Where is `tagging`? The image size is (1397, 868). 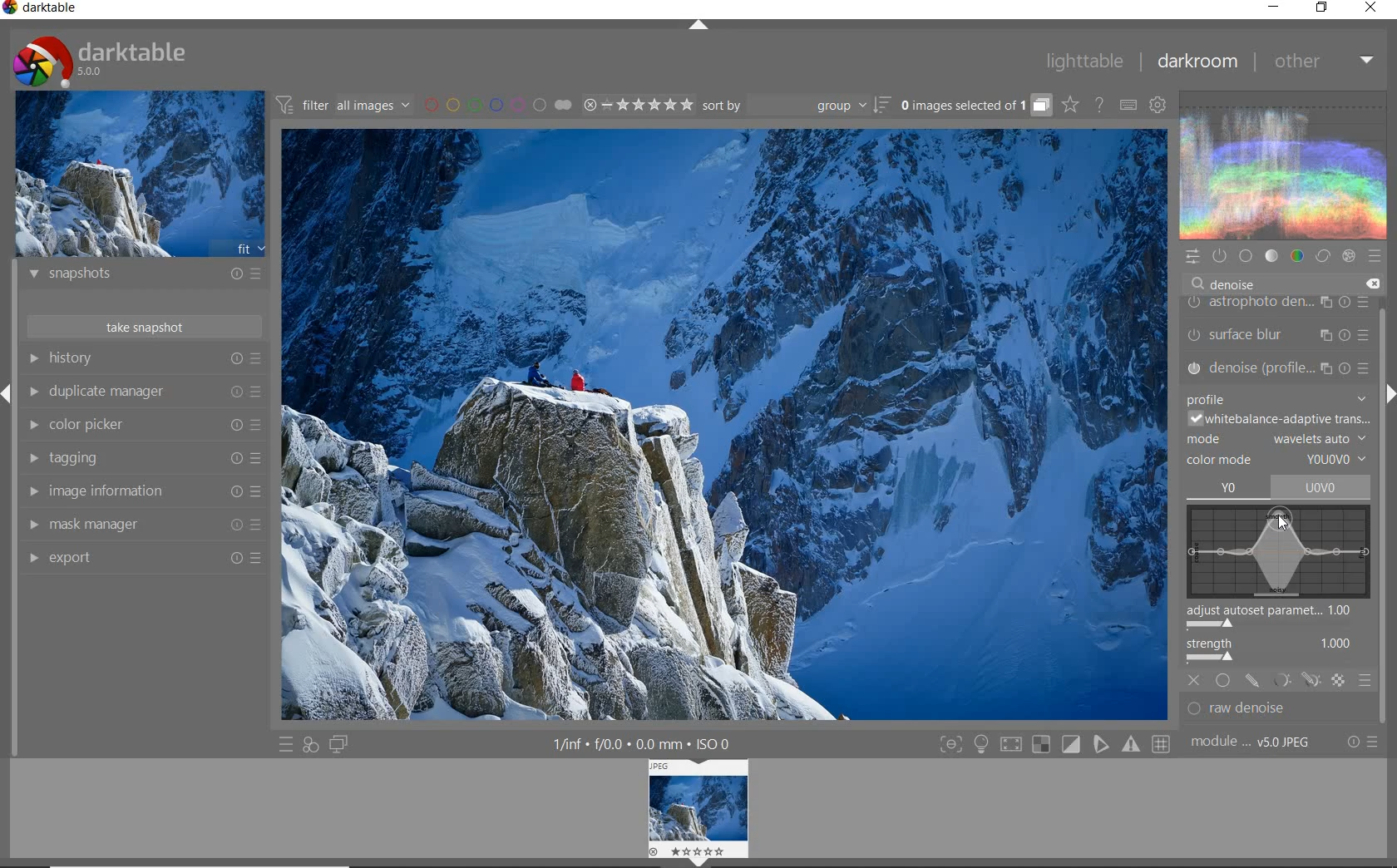 tagging is located at coordinates (143, 459).